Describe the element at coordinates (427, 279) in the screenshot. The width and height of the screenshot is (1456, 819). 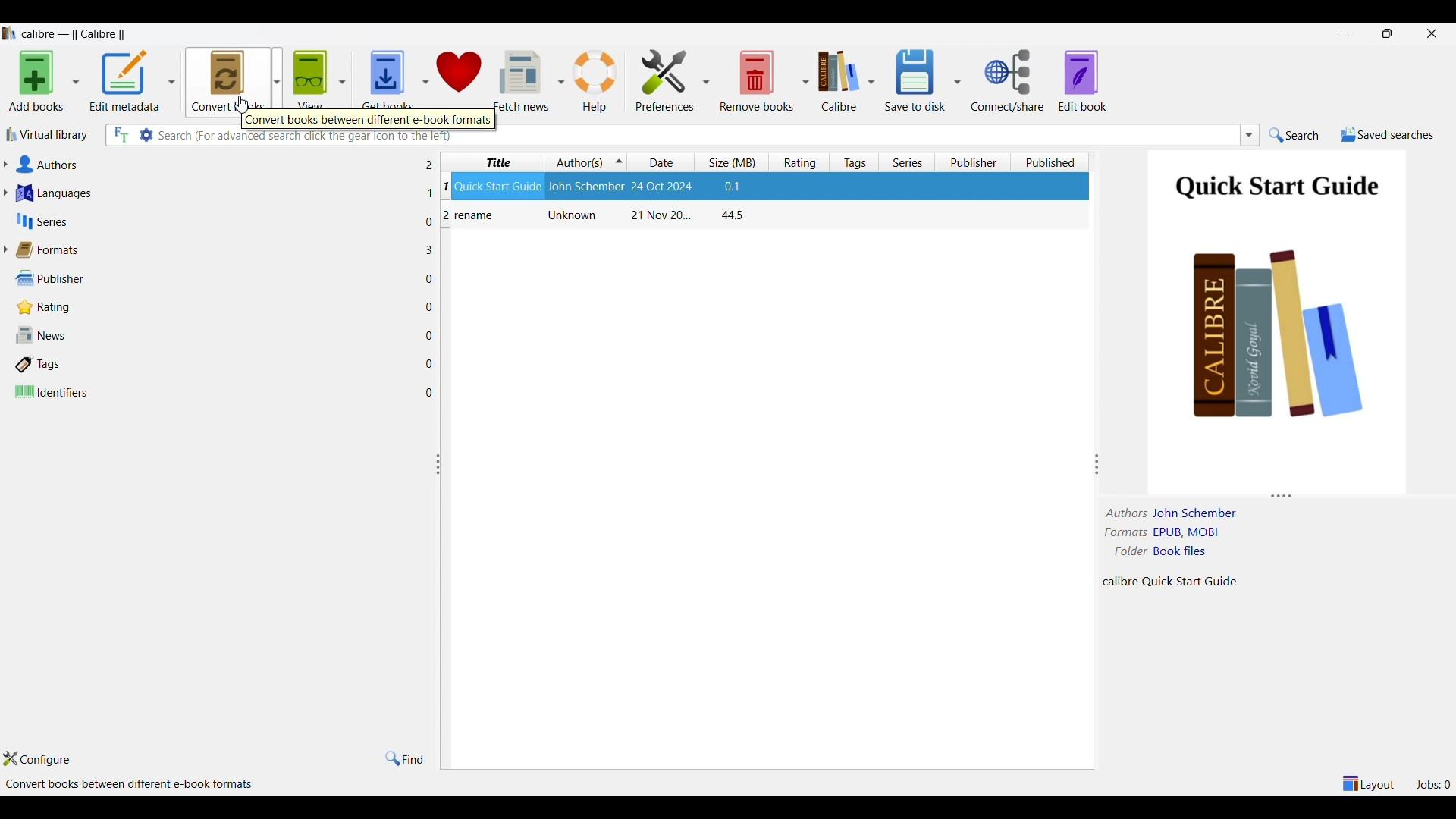
I see `File in each adjacent attribute` at that location.